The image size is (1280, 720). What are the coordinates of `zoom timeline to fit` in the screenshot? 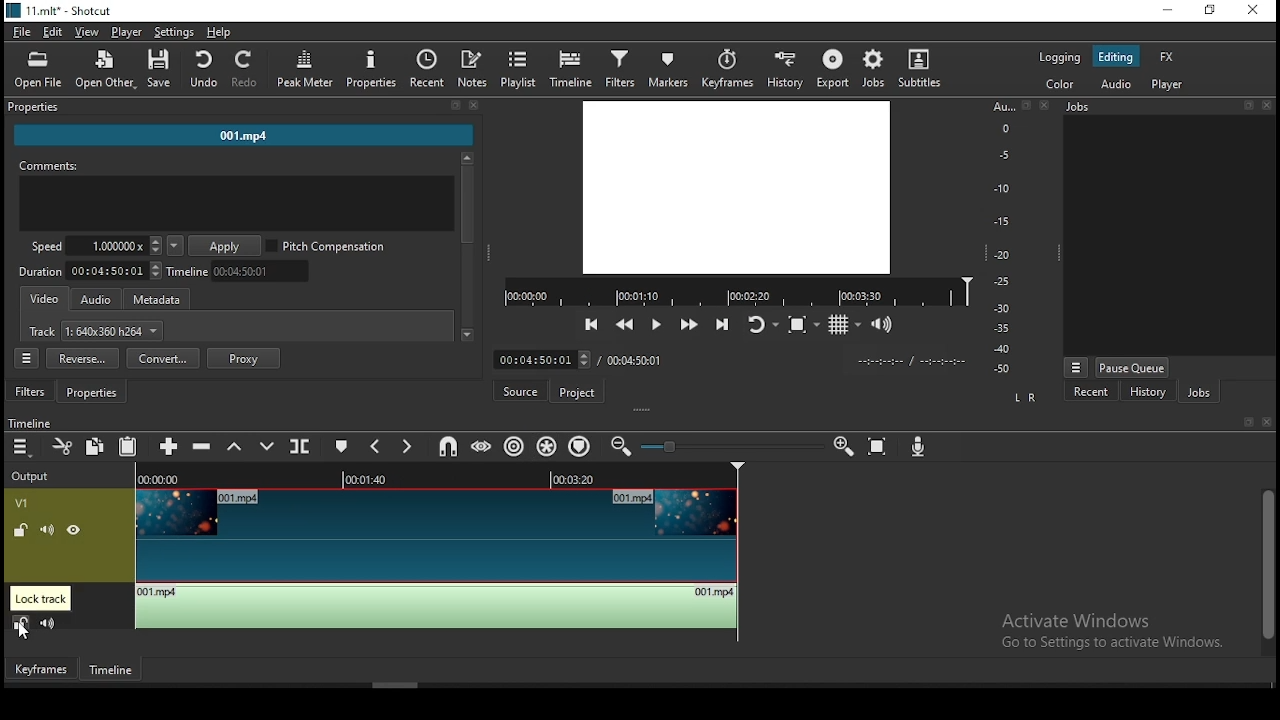 It's located at (879, 444).